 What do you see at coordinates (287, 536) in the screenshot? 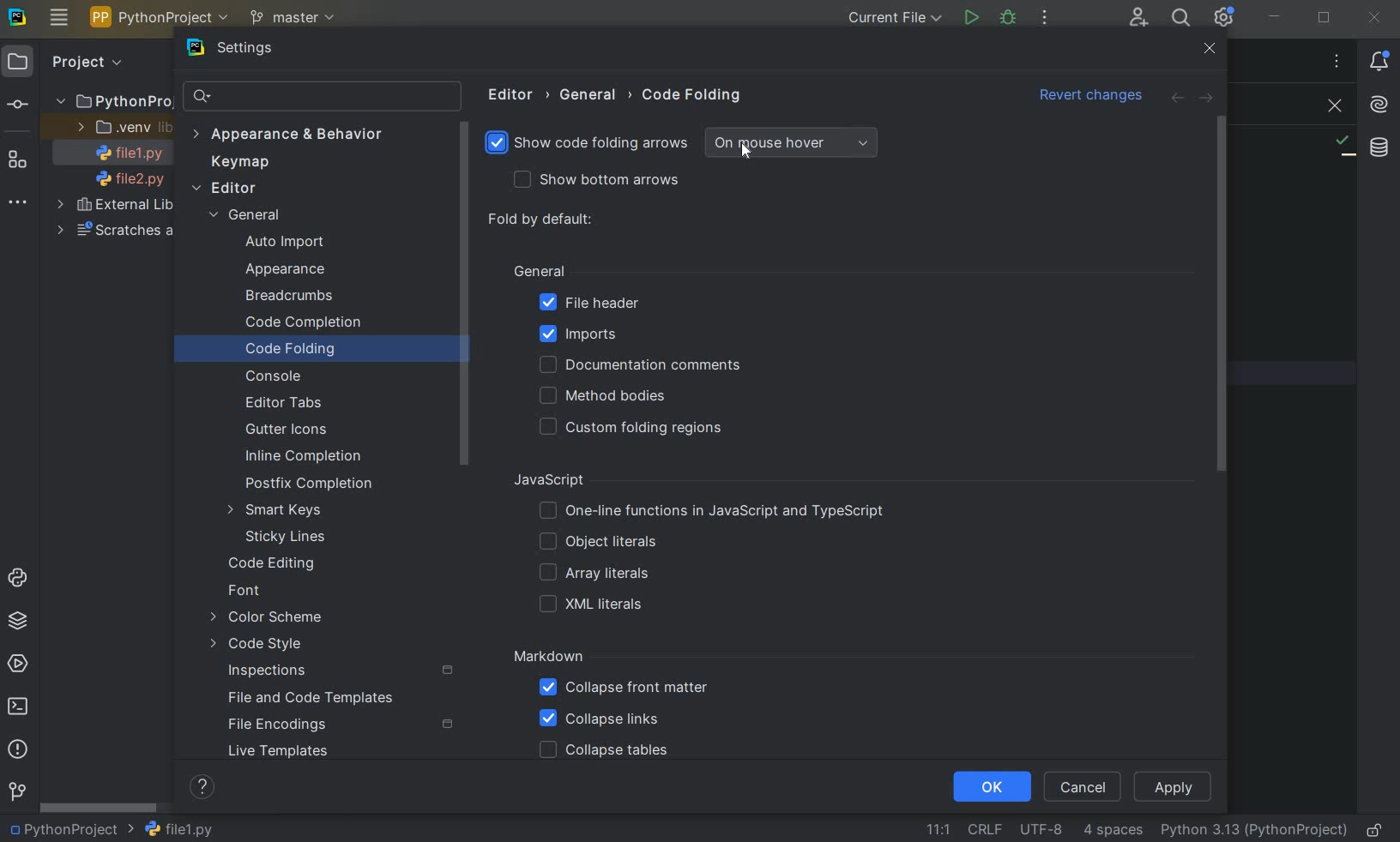
I see `STICKY LINES` at bounding box center [287, 536].